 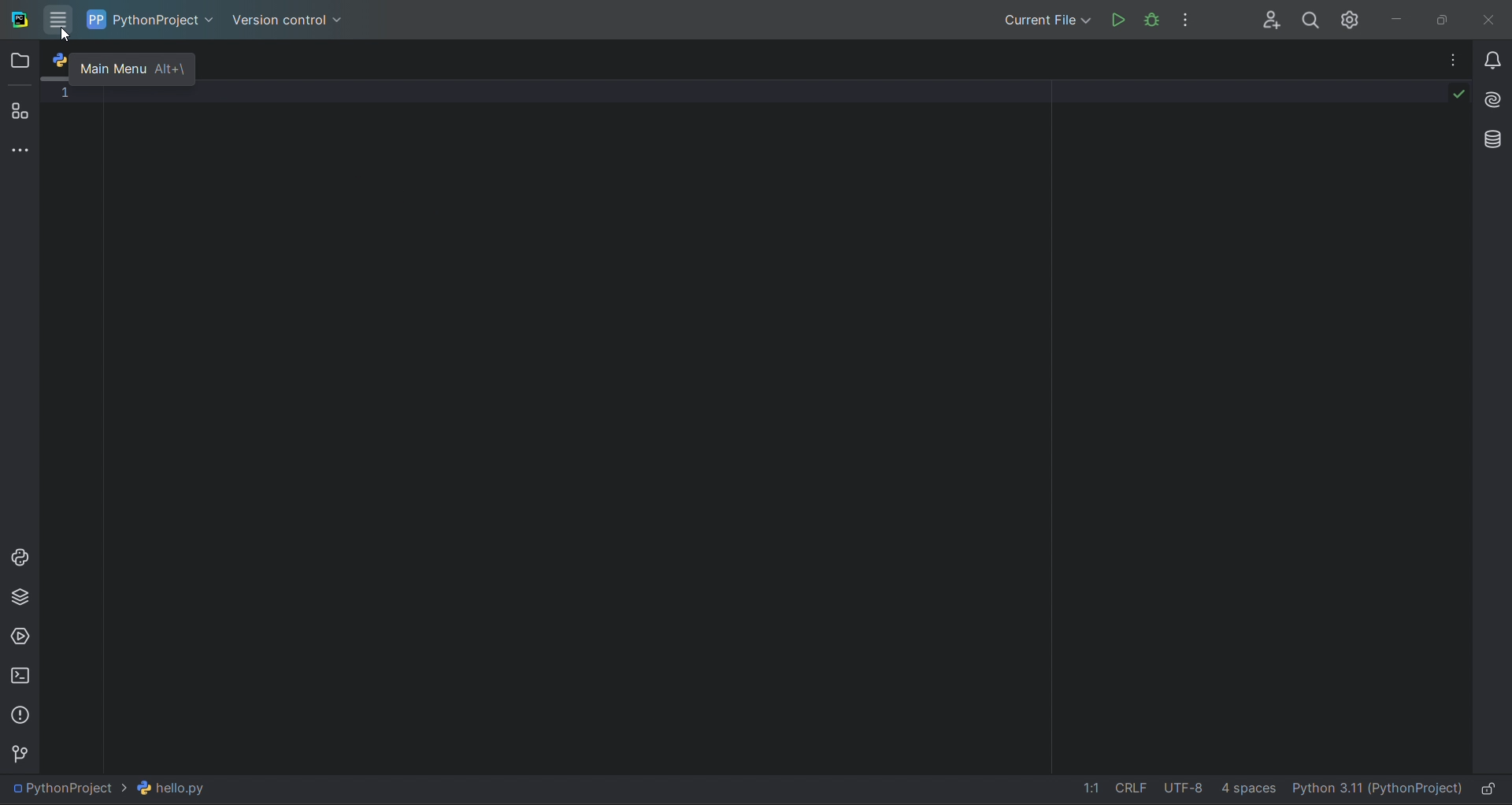 What do you see at coordinates (154, 18) in the screenshot?
I see `current project` at bounding box center [154, 18].